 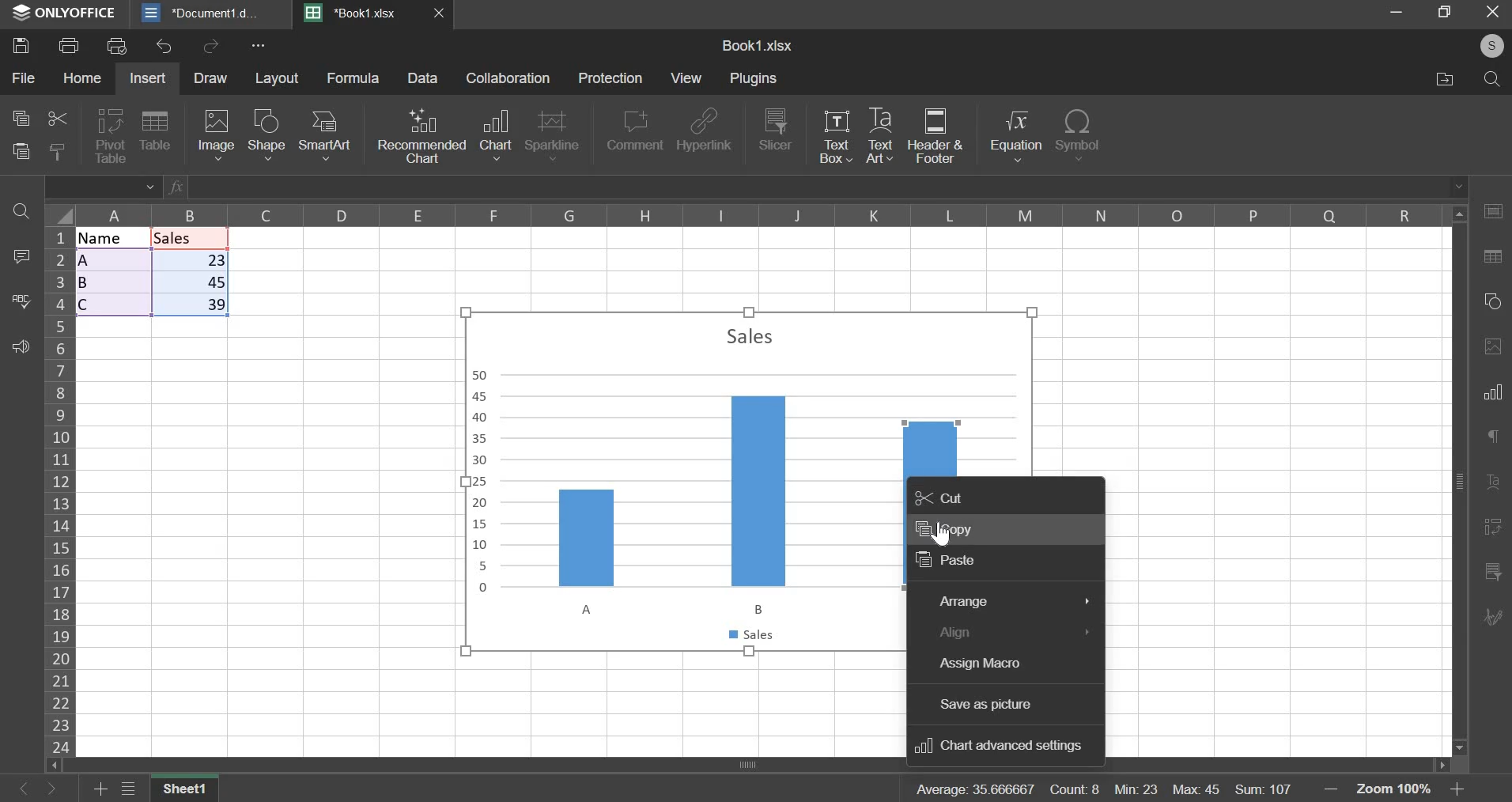 What do you see at coordinates (111, 137) in the screenshot?
I see `pivot table` at bounding box center [111, 137].